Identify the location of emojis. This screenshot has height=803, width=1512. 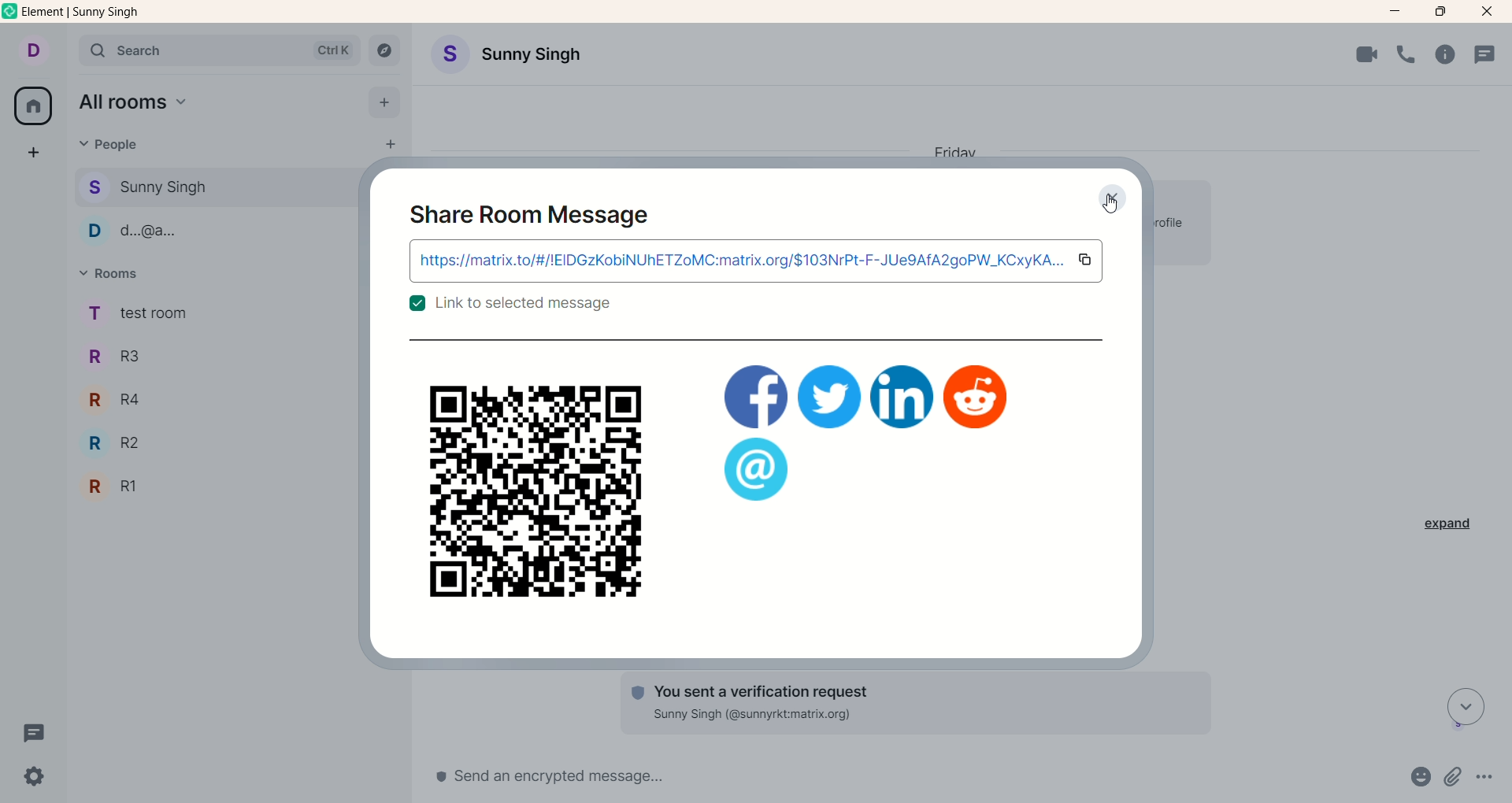
(1414, 779).